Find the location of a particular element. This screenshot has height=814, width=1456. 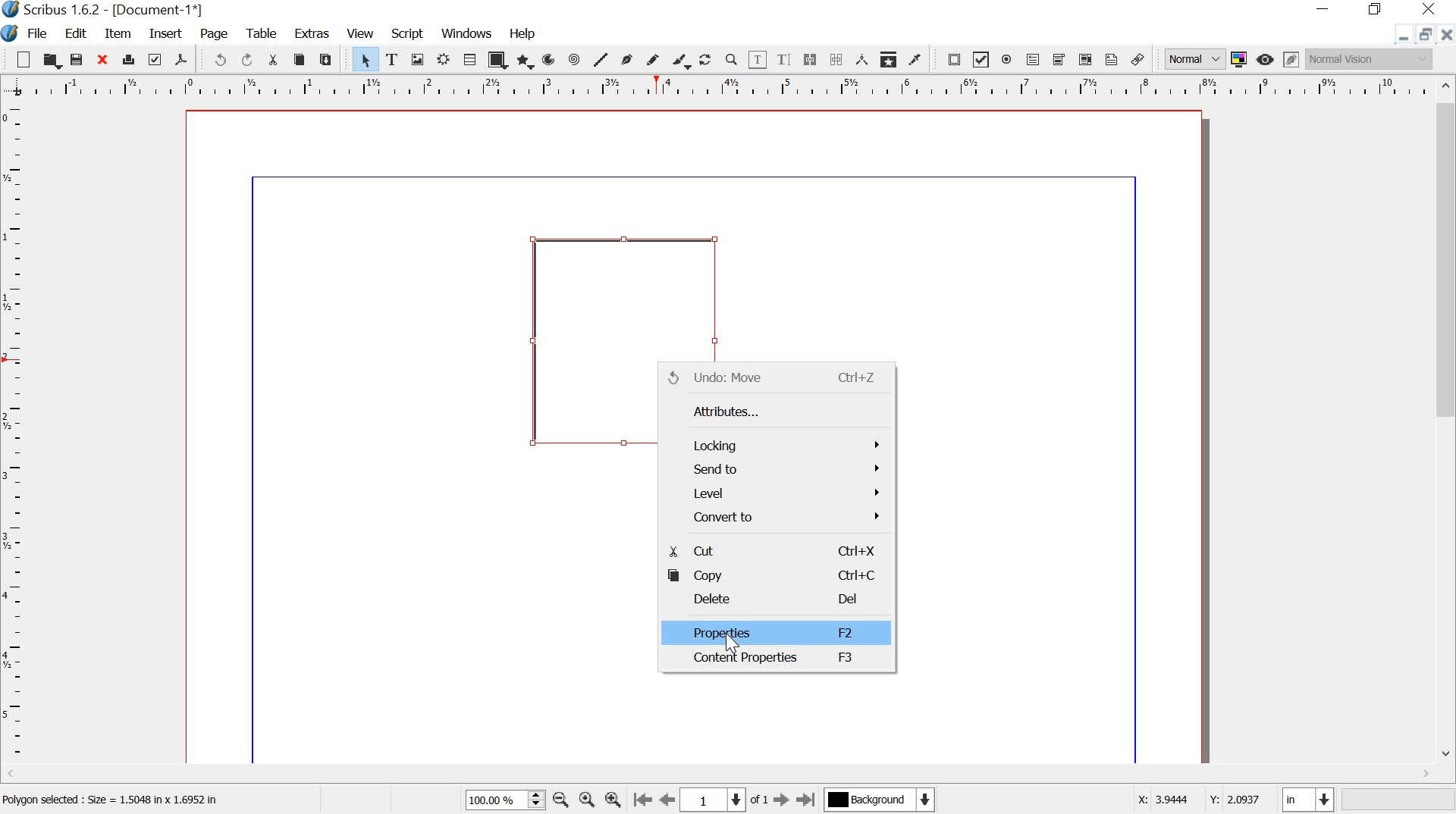

edit is located at coordinates (76, 33).